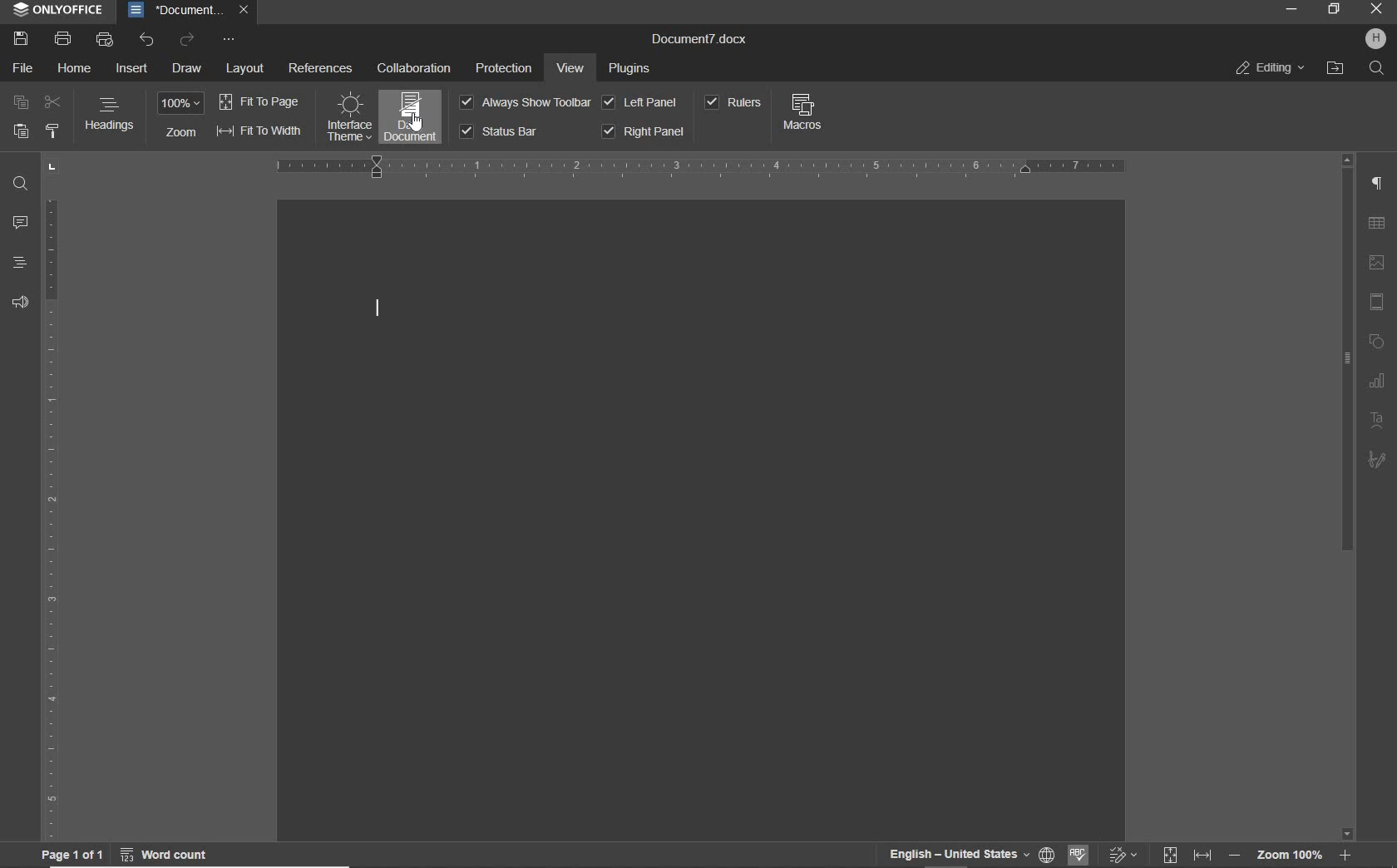  I want to click on HOME, so click(77, 67).